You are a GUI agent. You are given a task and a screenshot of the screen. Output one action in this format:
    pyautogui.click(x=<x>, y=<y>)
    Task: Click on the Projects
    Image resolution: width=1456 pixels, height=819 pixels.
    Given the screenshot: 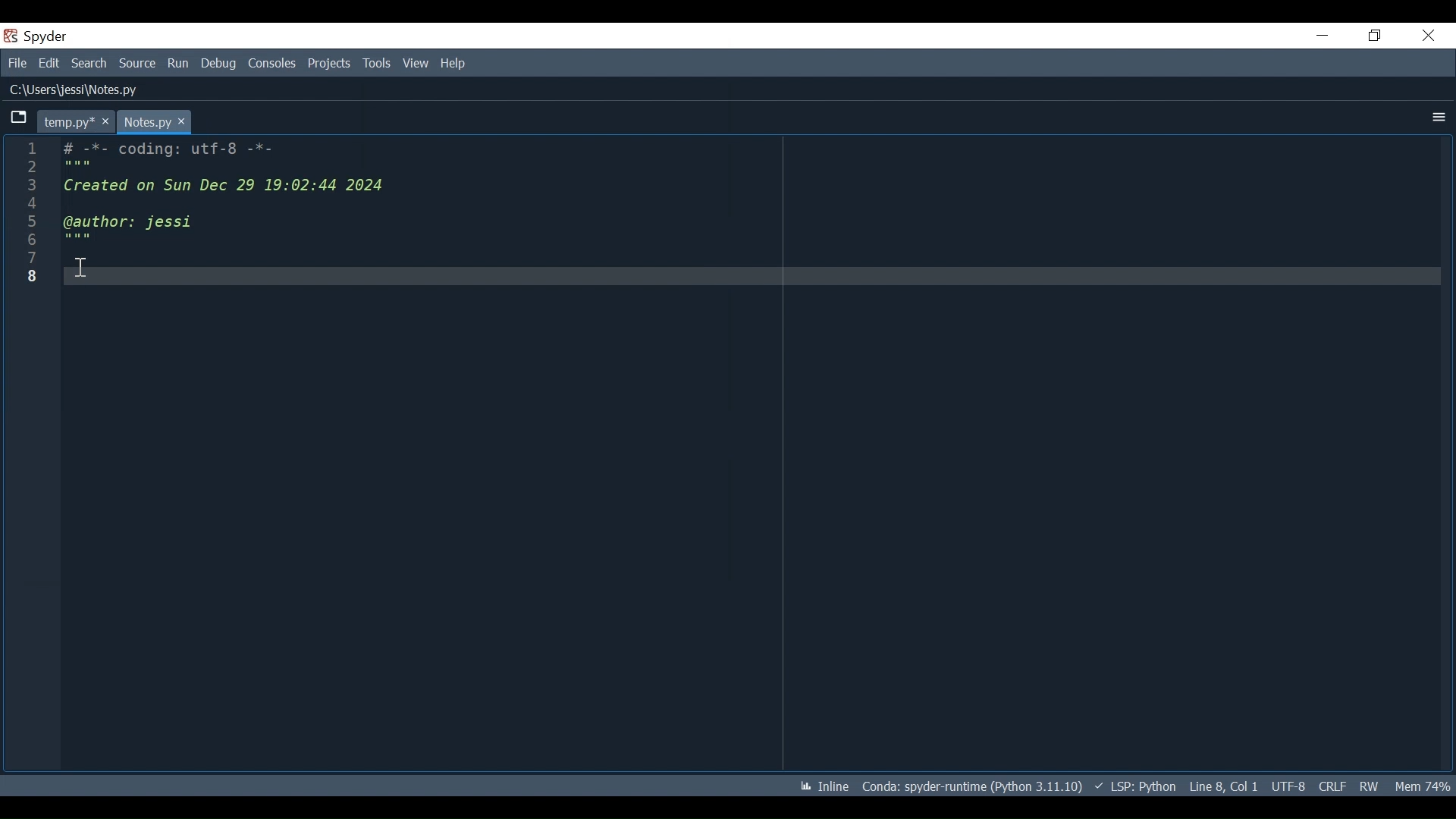 What is the action you would take?
    pyautogui.click(x=330, y=64)
    